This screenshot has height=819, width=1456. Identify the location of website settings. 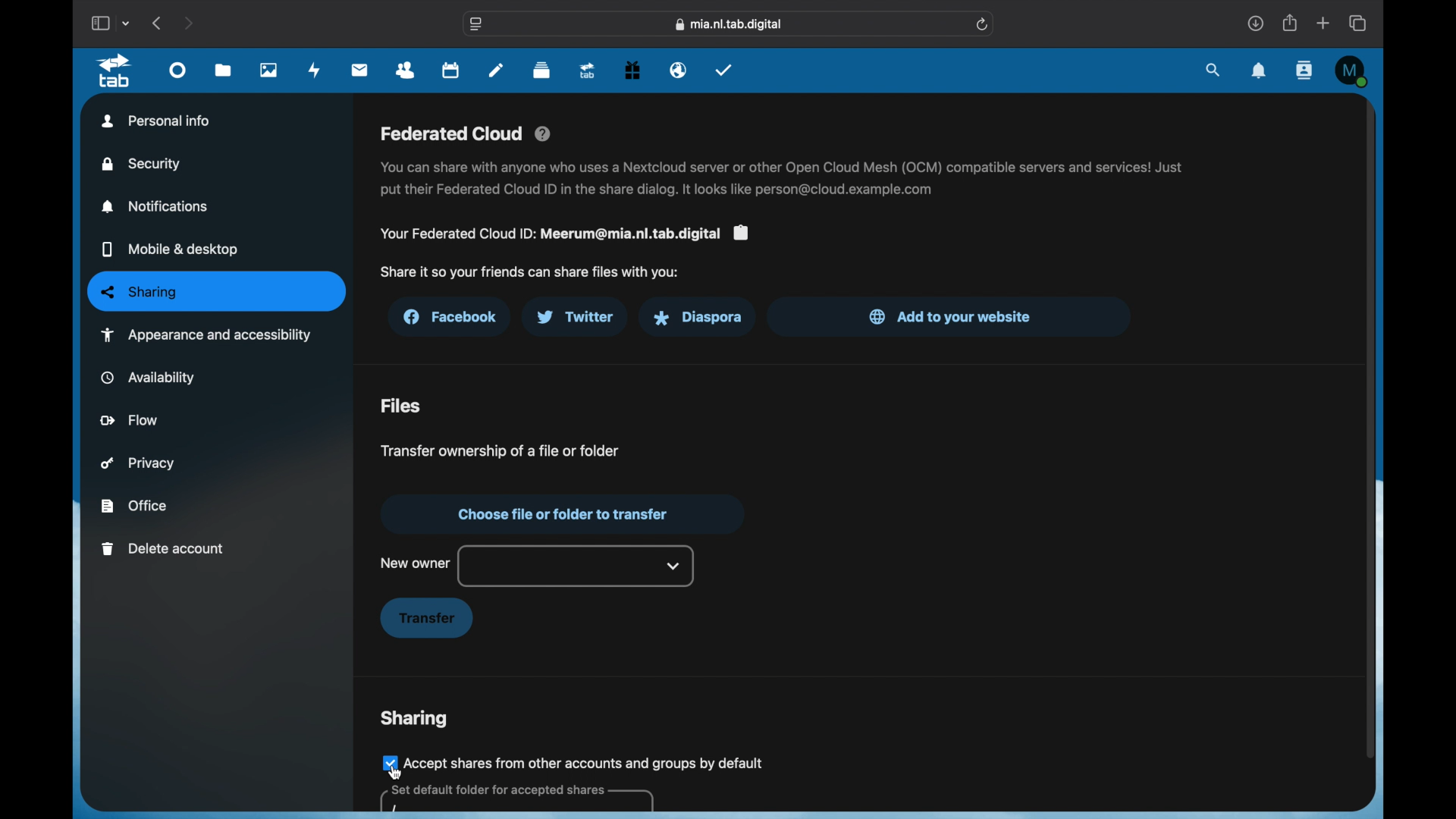
(477, 24).